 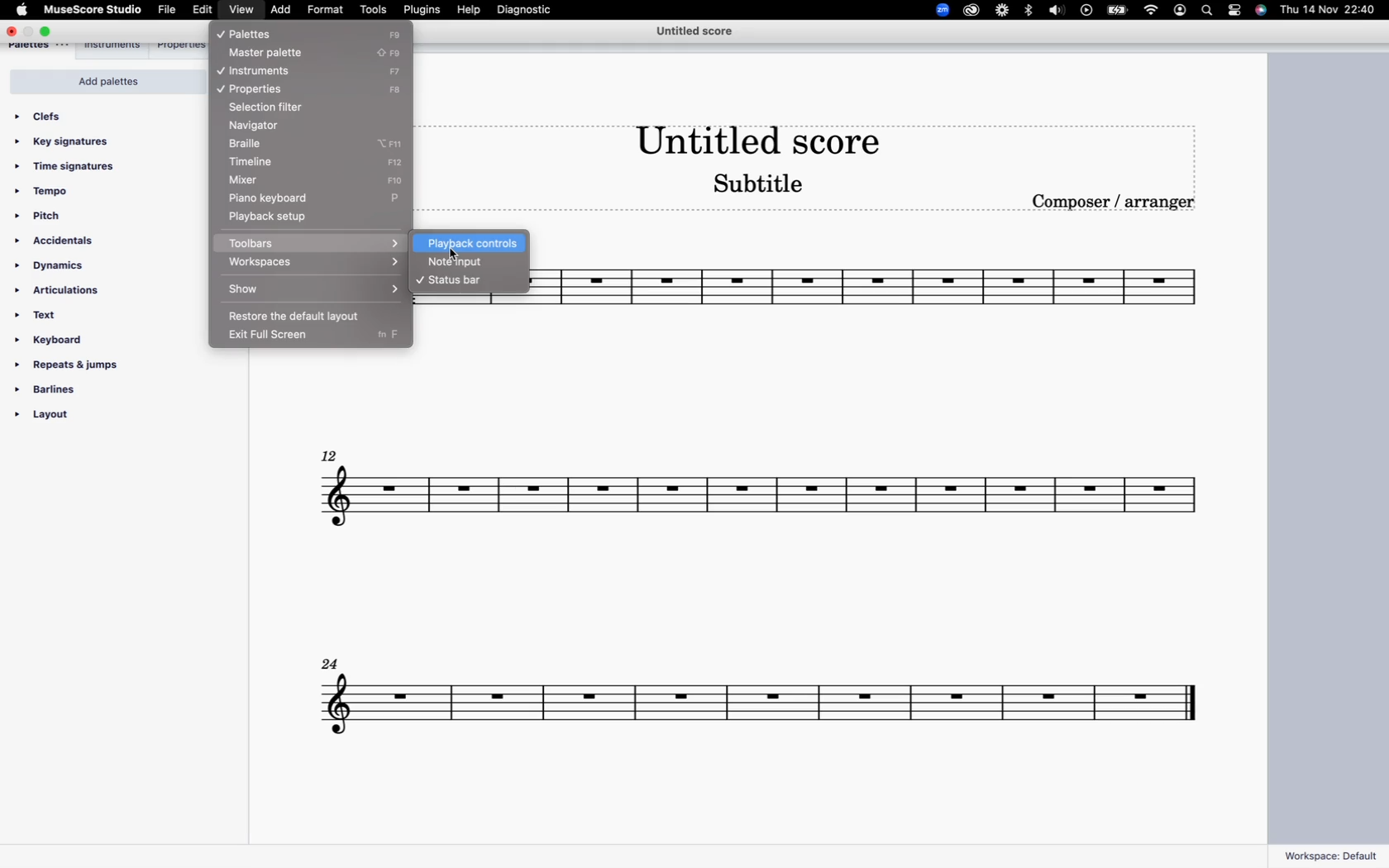 I want to click on tempo, so click(x=49, y=192).